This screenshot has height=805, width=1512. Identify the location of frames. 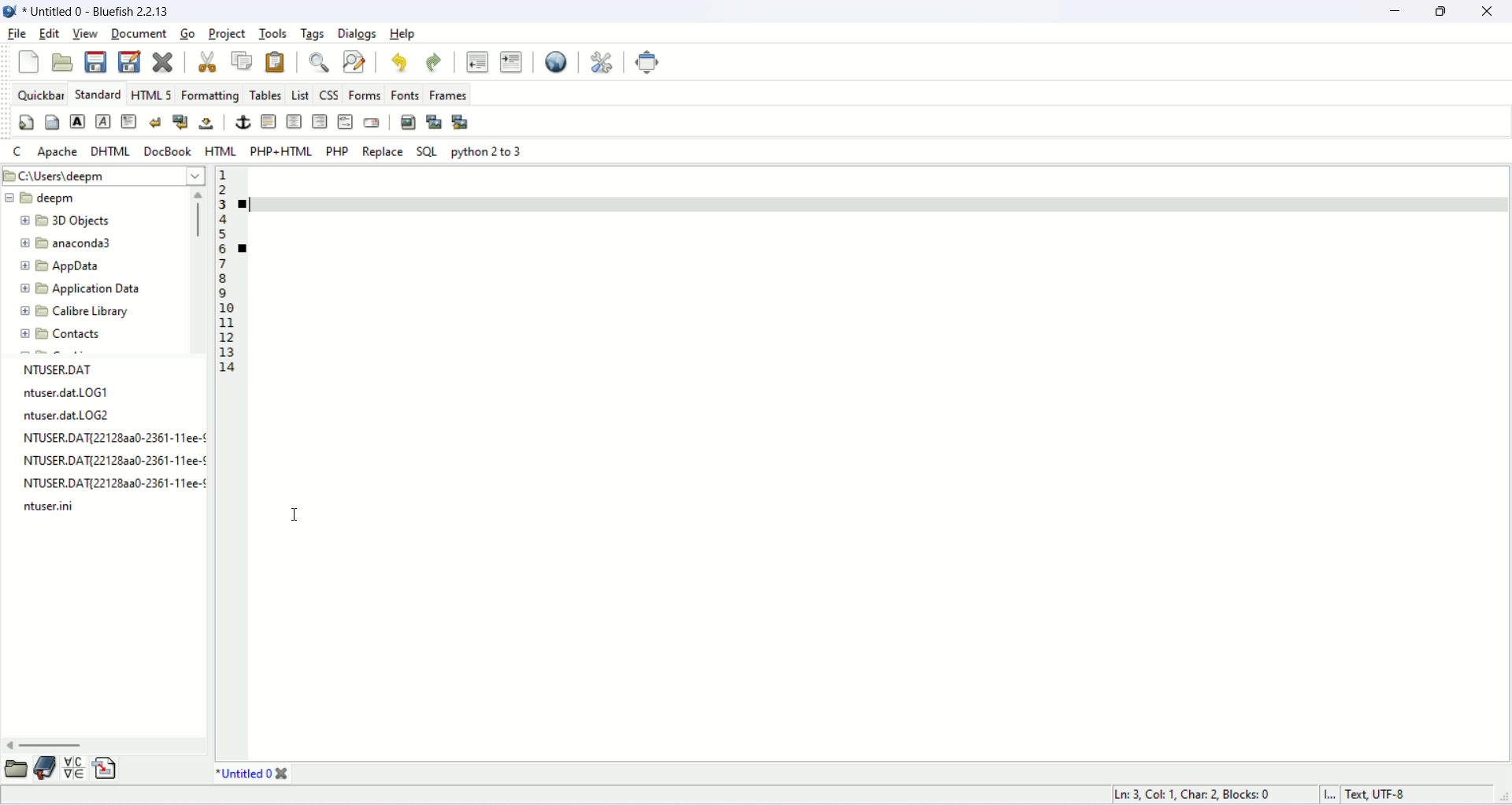
(445, 94).